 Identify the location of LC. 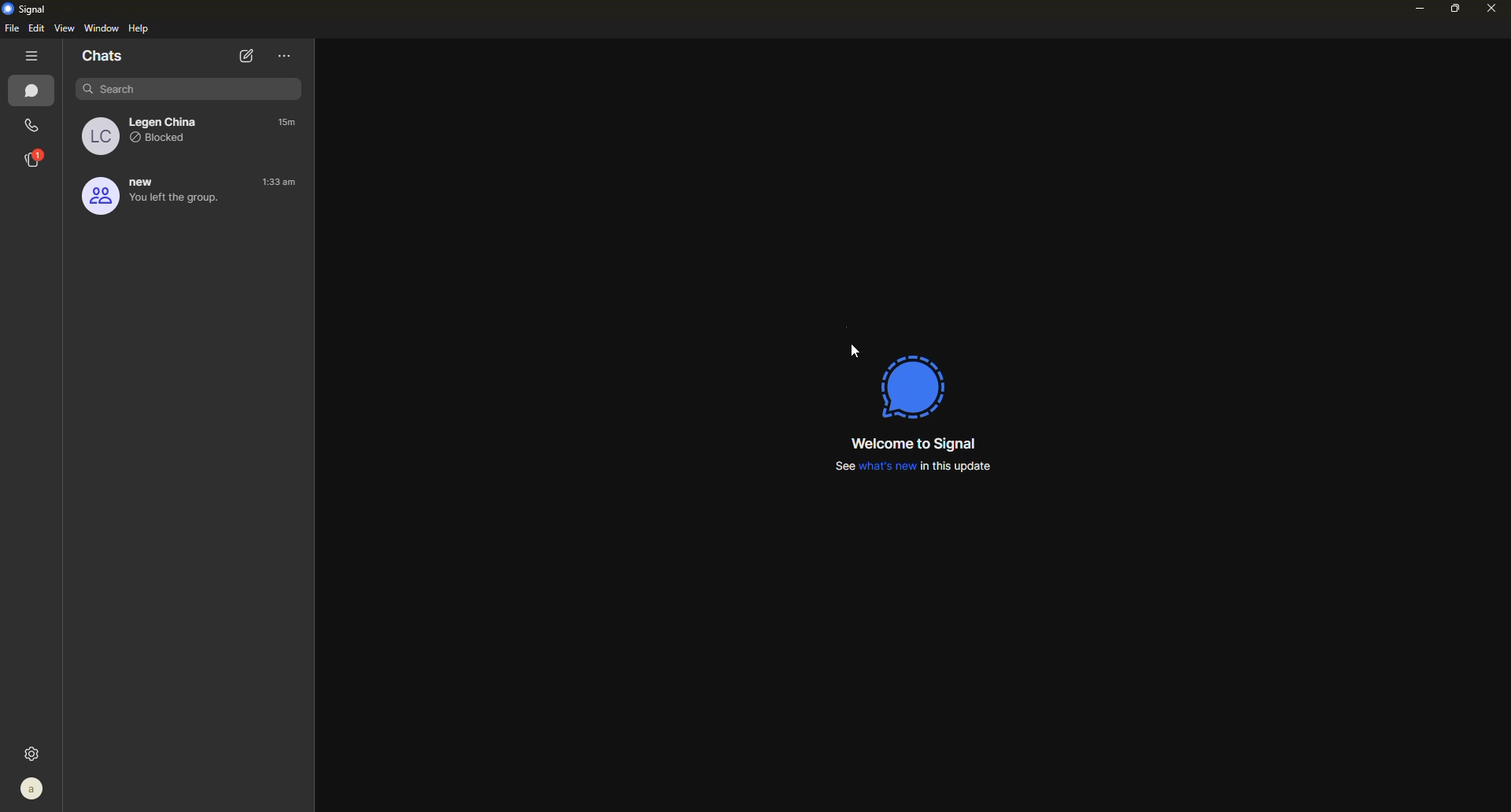
(96, 136).